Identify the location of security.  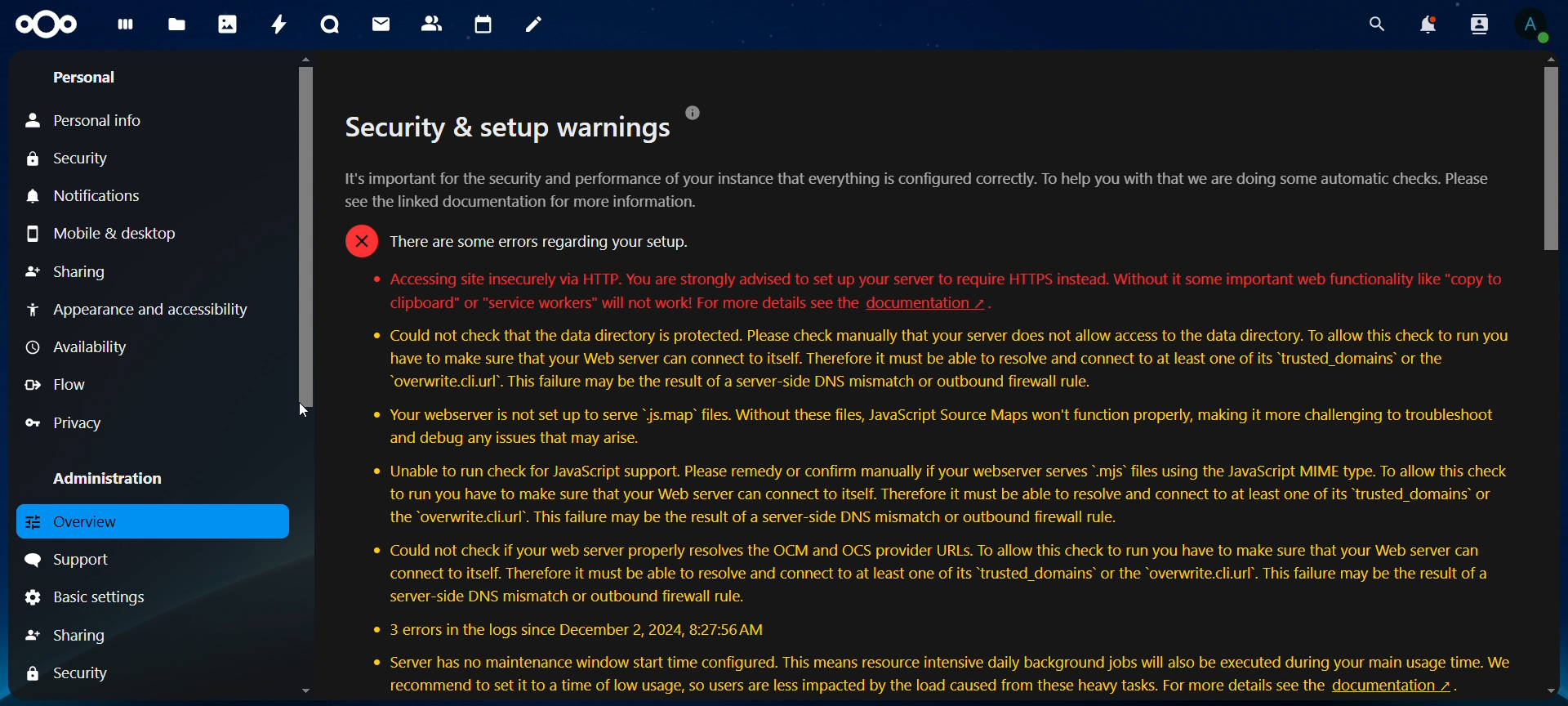
(73, 675).